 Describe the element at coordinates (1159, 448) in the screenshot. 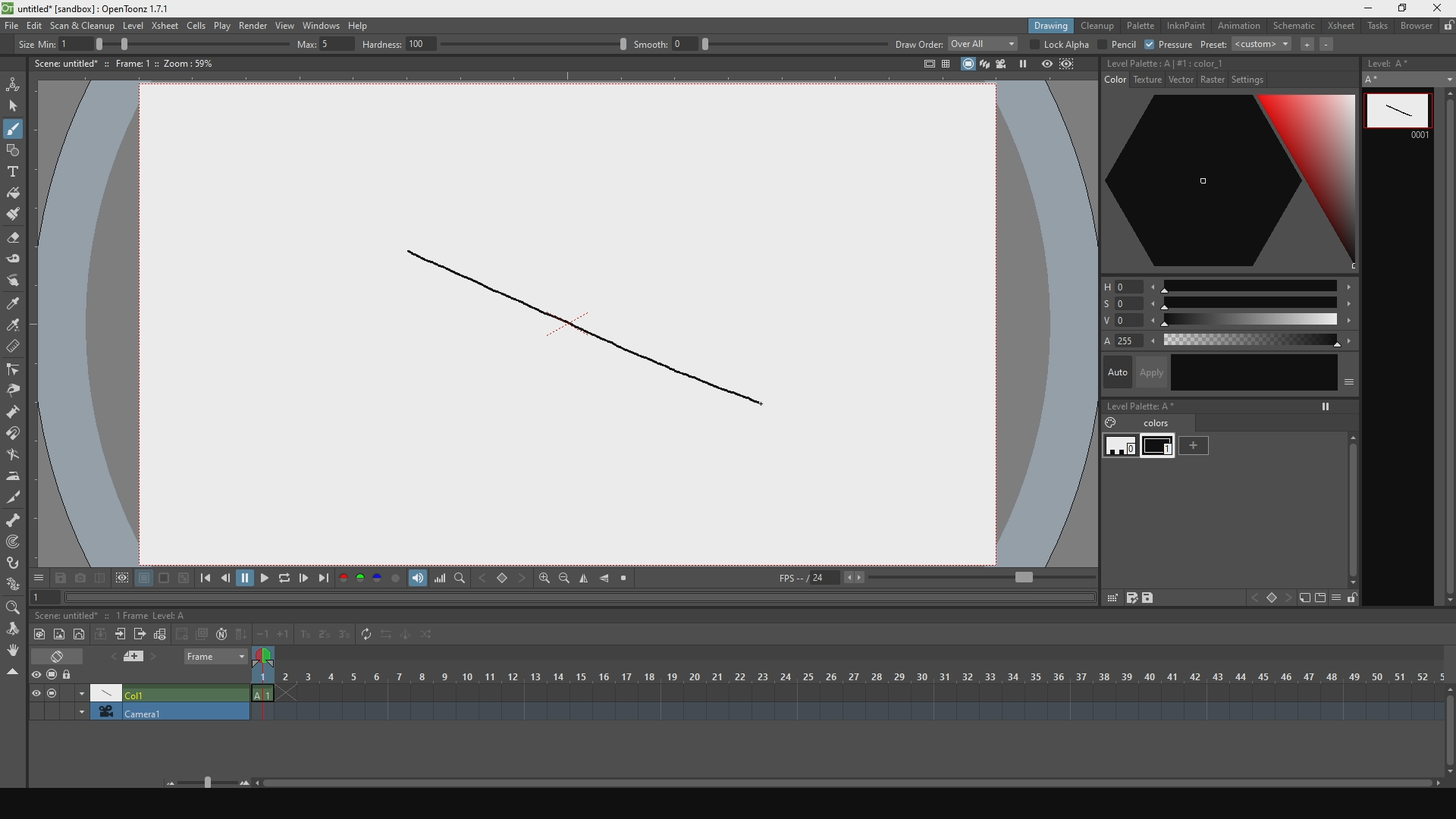

I see `black` at that location.